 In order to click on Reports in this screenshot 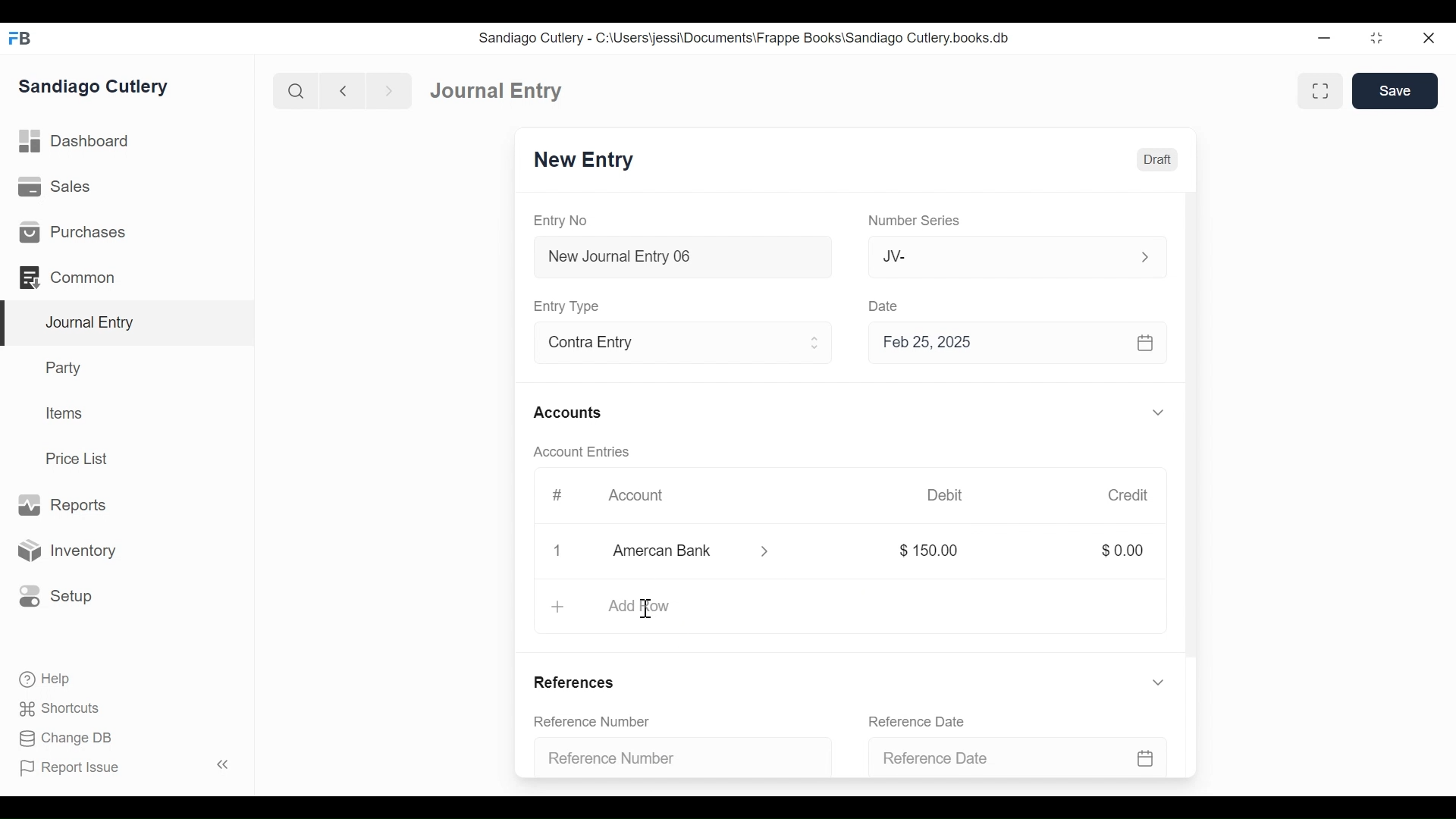, I will do `click(61, 506)`.